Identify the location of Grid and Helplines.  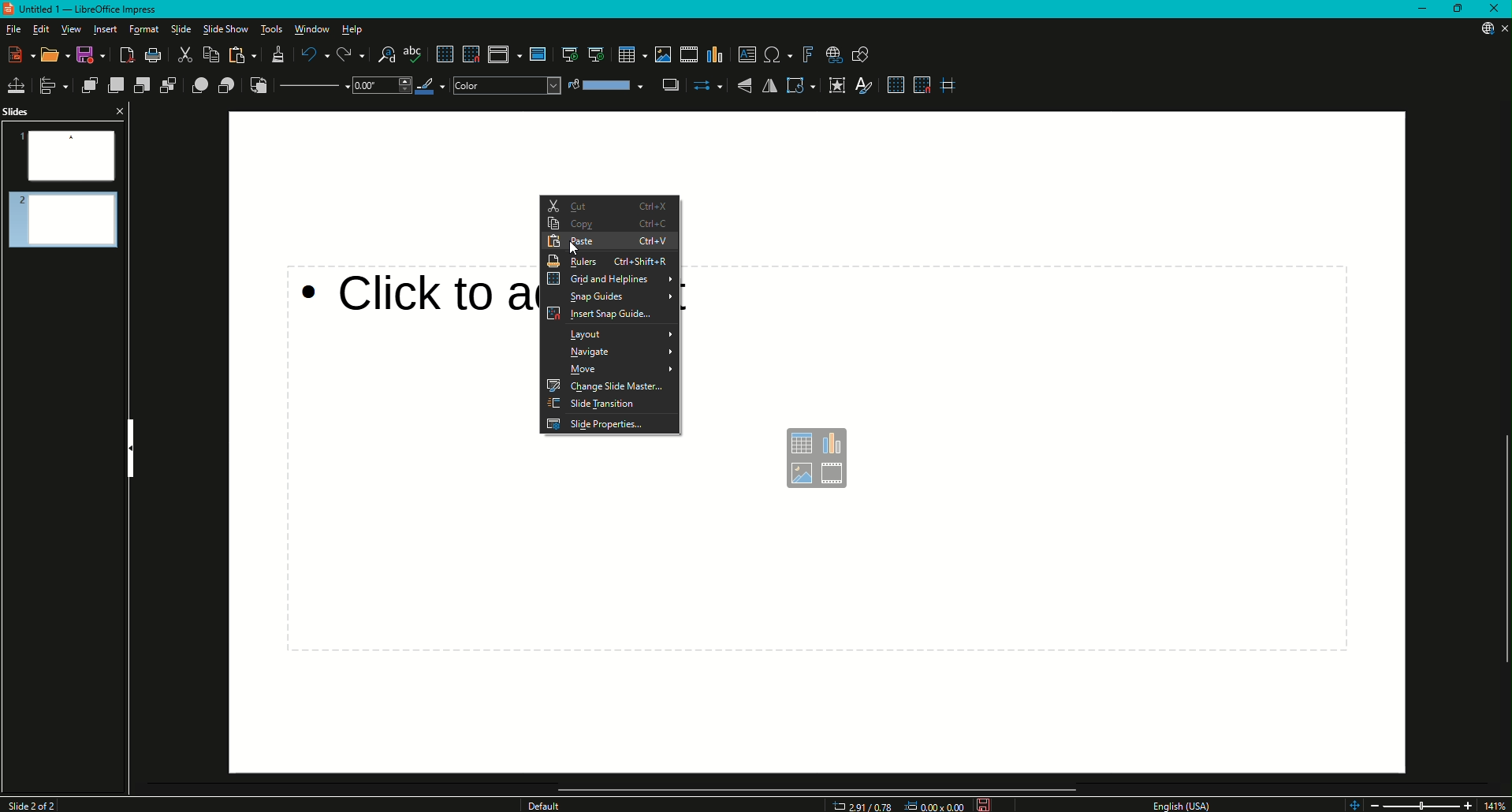
(609, 277).